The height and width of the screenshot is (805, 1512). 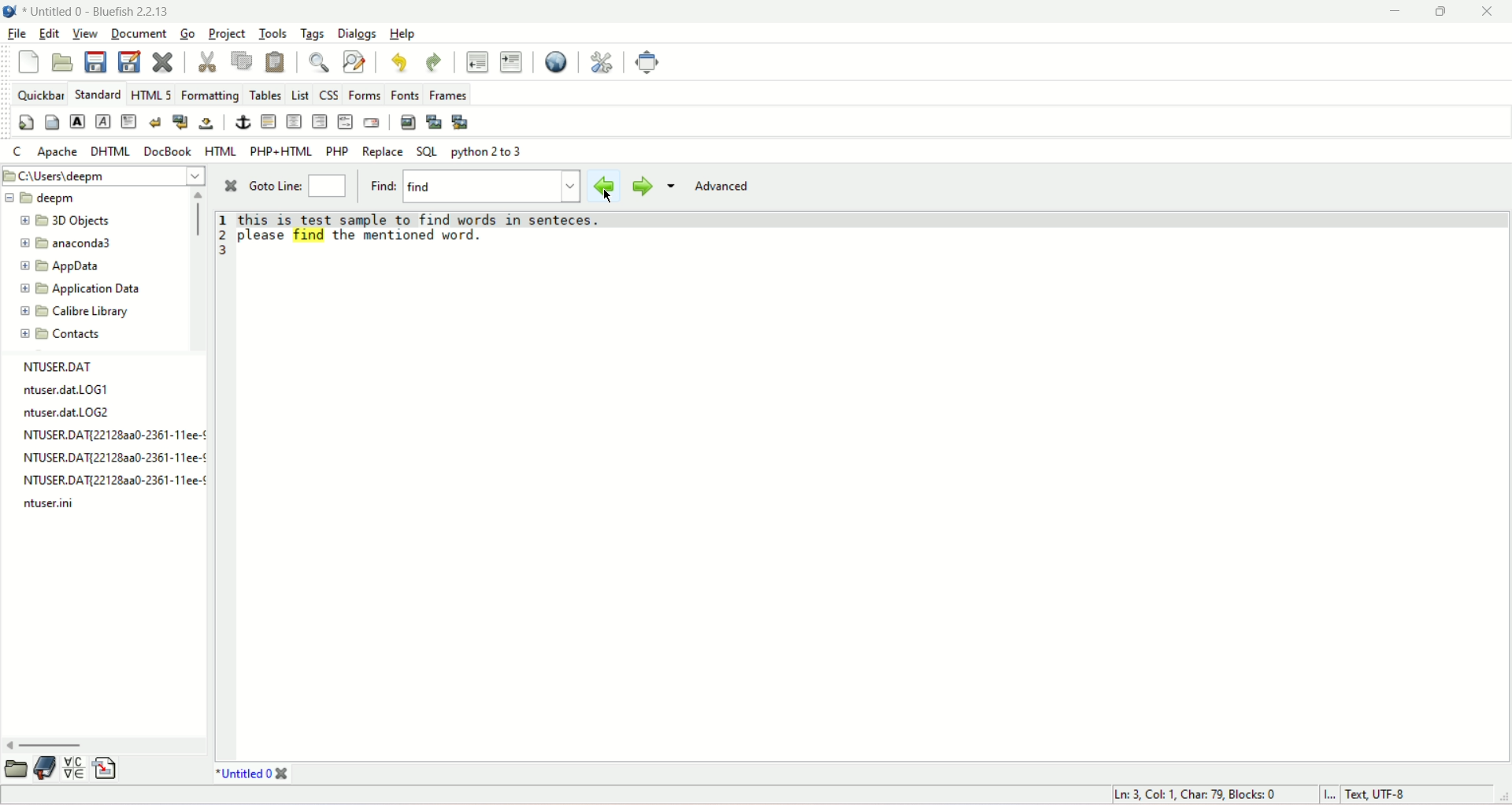 I want to click on dialogs, so click(x=357, y=35).